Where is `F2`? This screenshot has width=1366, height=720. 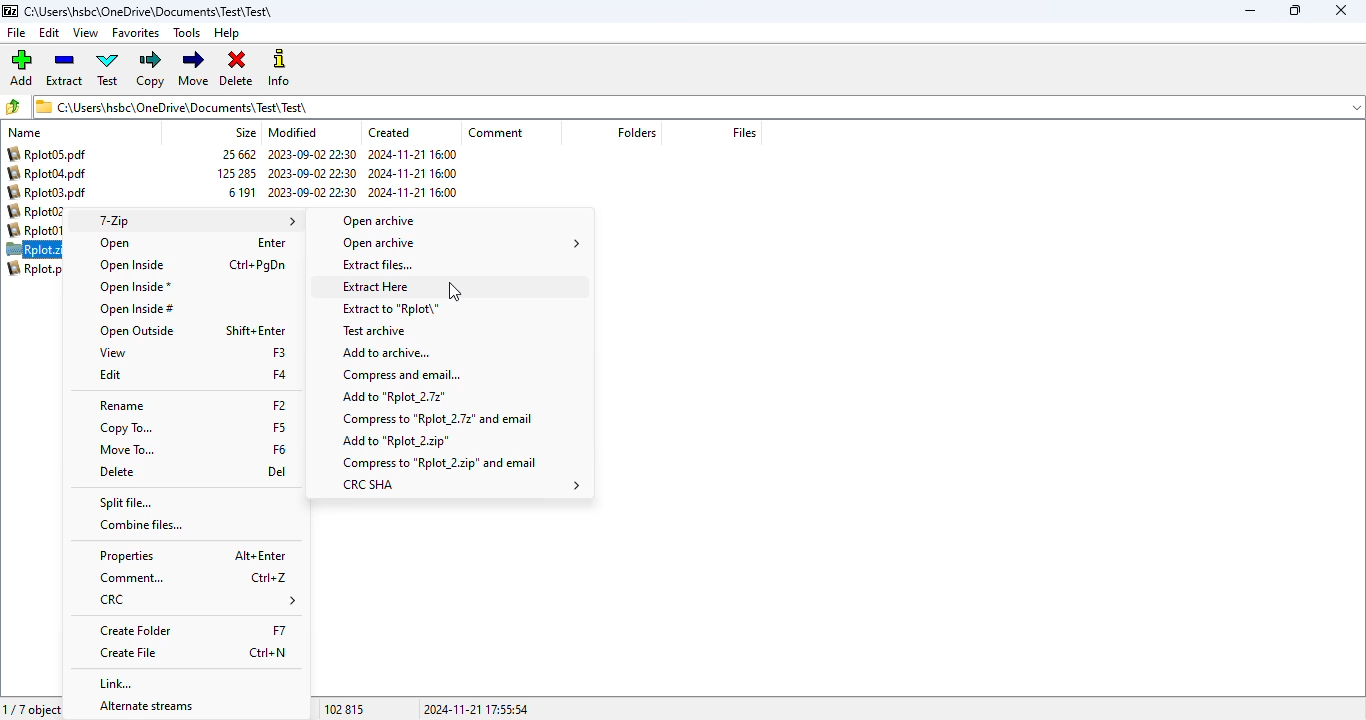 F2 is located at coordinates (278, 405).